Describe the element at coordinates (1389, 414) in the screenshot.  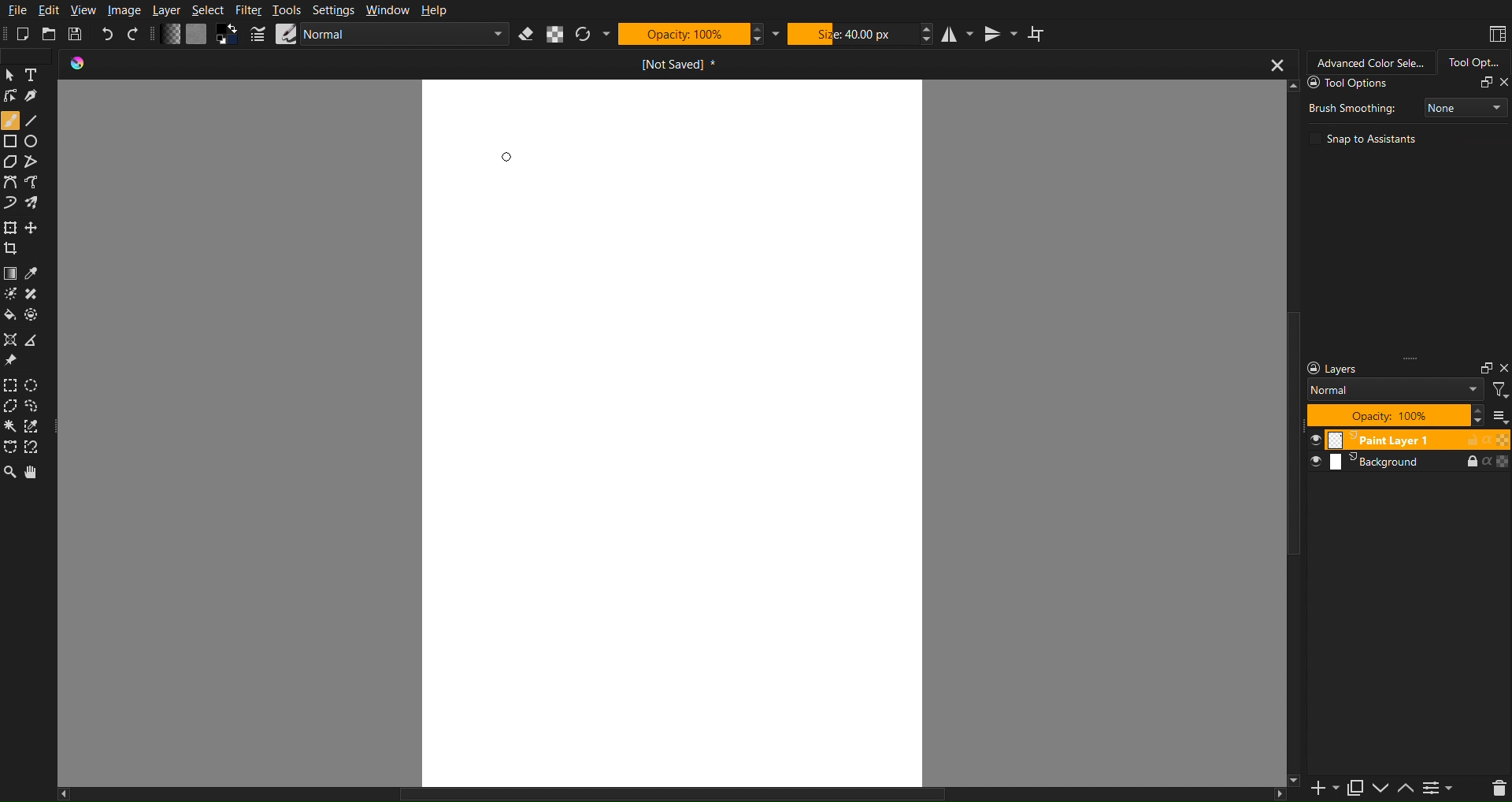
I see `Opacity` at that location.